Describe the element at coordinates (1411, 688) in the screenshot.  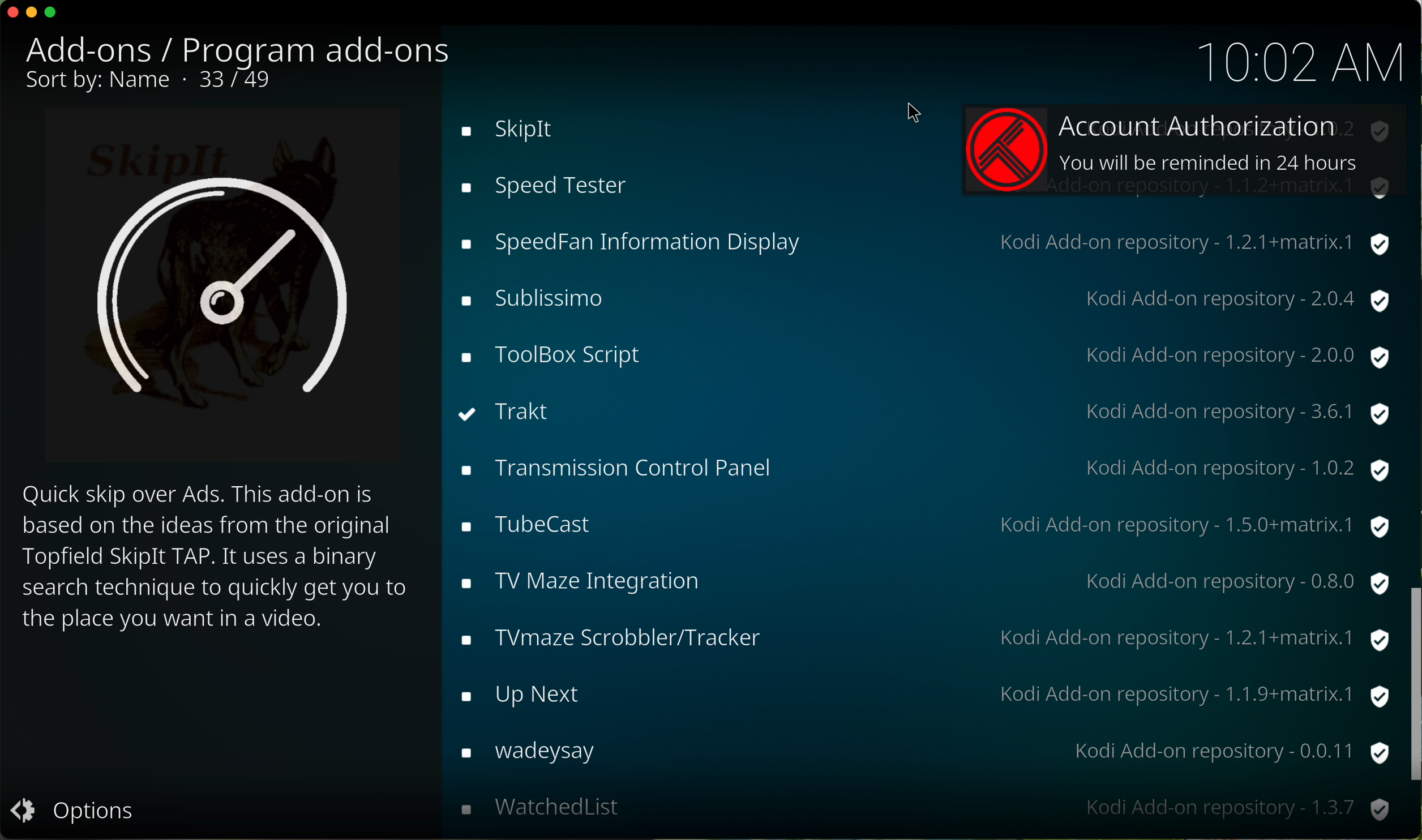
I see `scroll bar` at that location.